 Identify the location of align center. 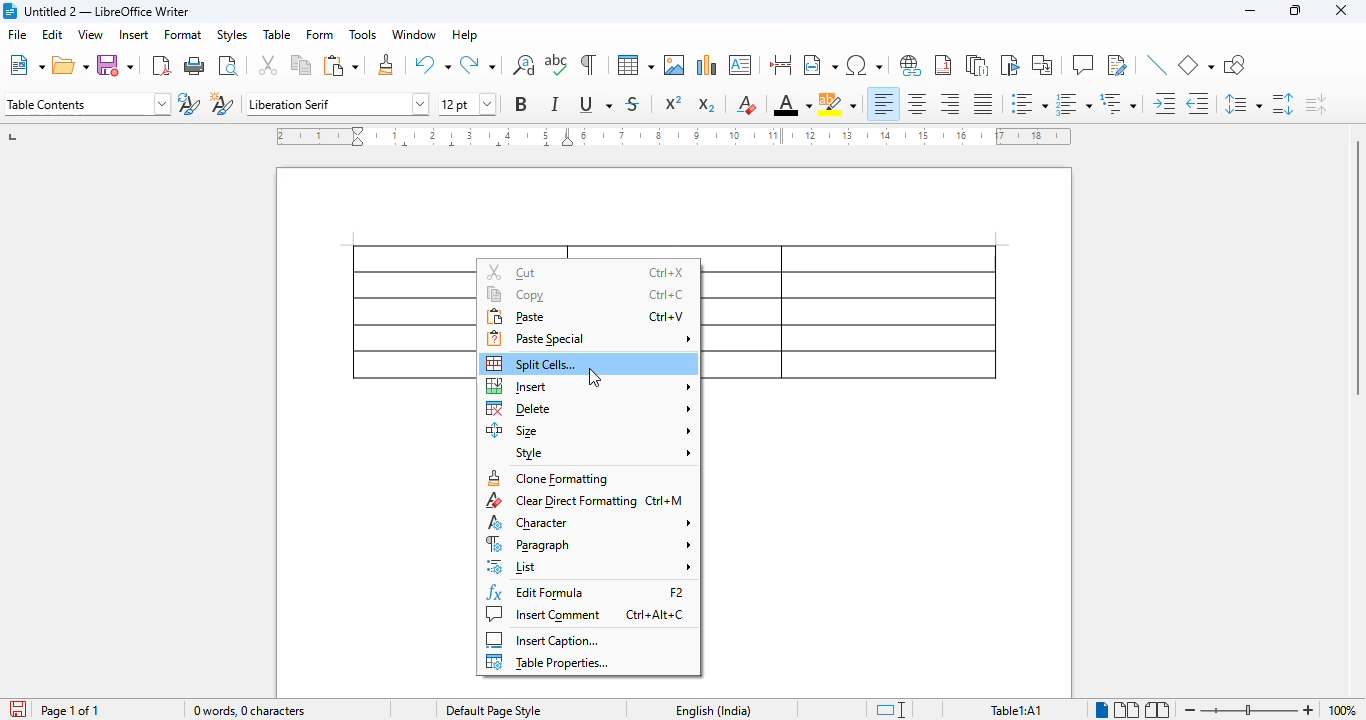
(915, 104).